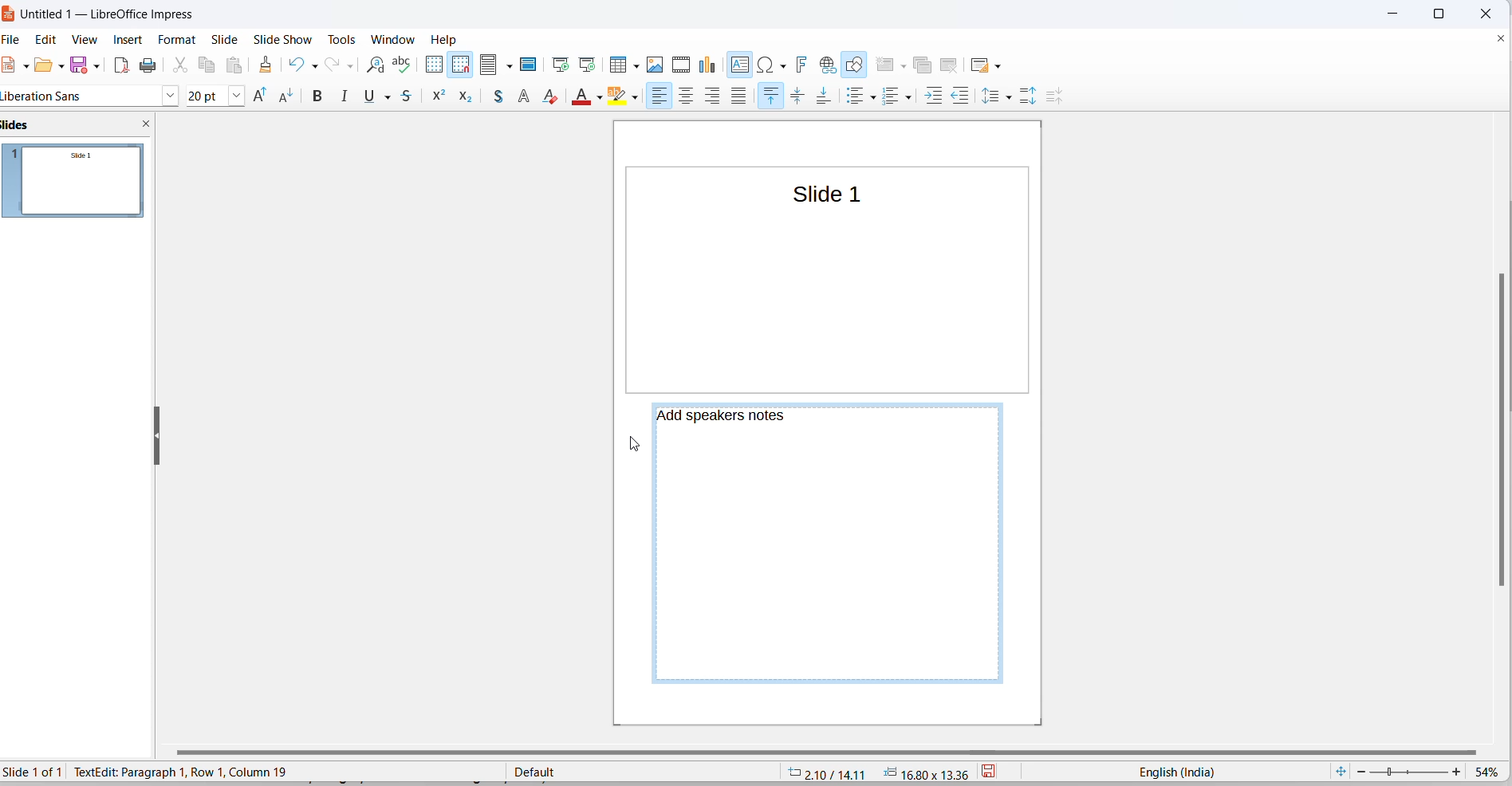  Describe the element at coordinates (532, 64) in the screenshot. I see `master slide` at that location.